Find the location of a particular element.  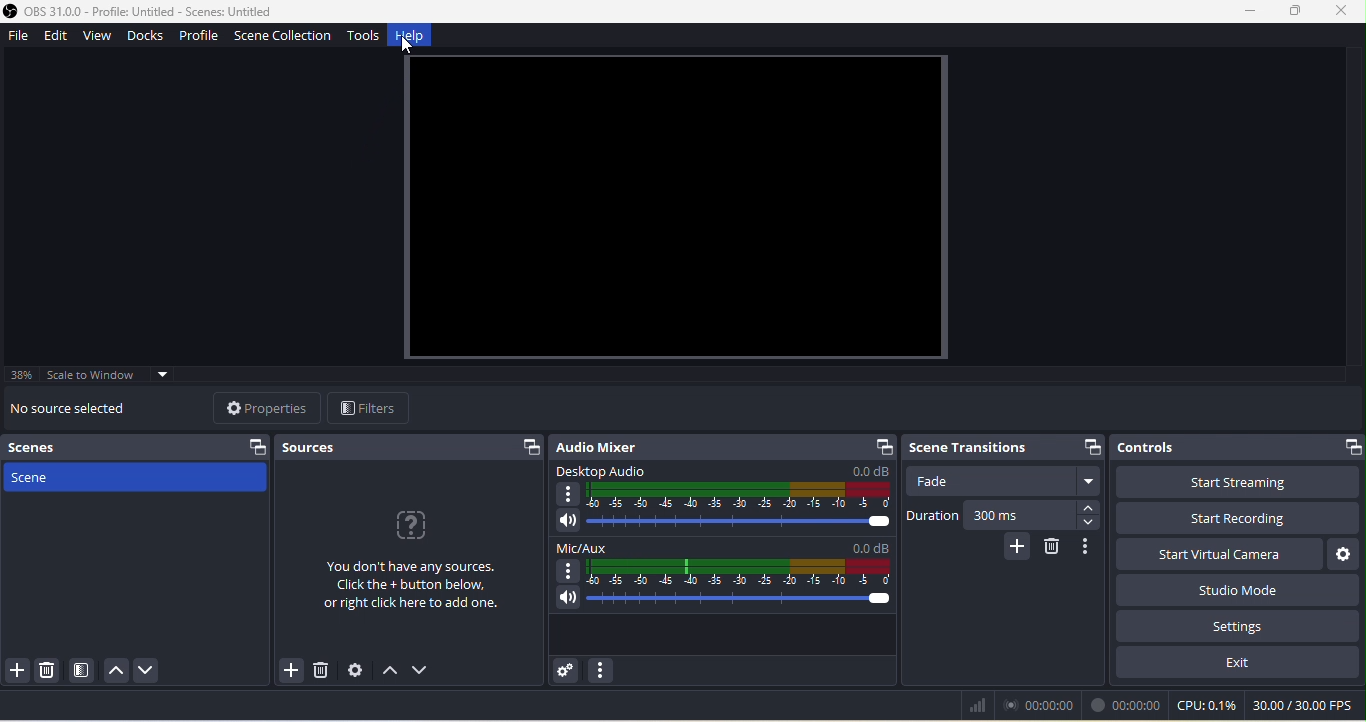

controls is located at coordinates (1238, 444).